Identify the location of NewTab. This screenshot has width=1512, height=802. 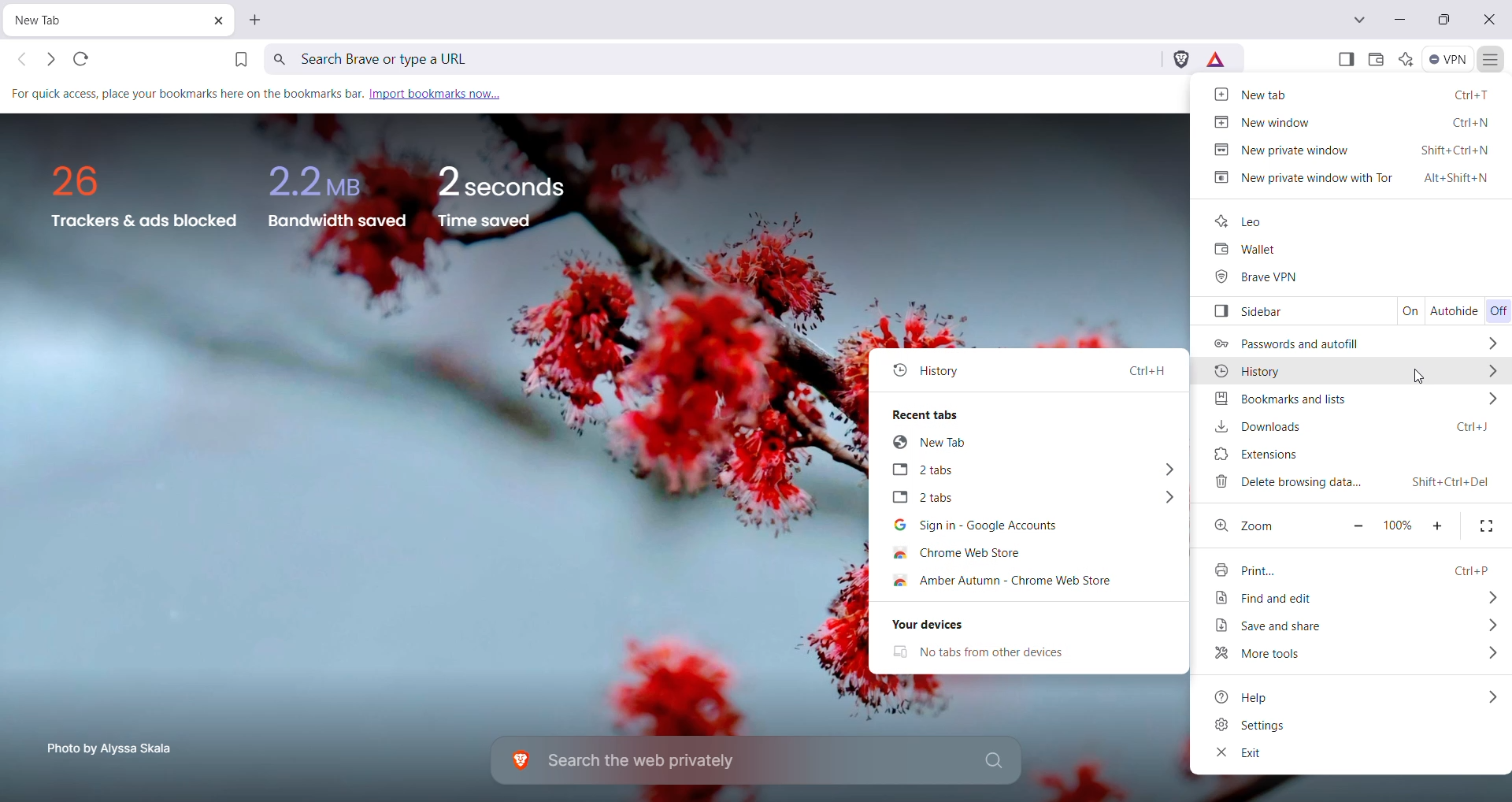
(1032, 444).